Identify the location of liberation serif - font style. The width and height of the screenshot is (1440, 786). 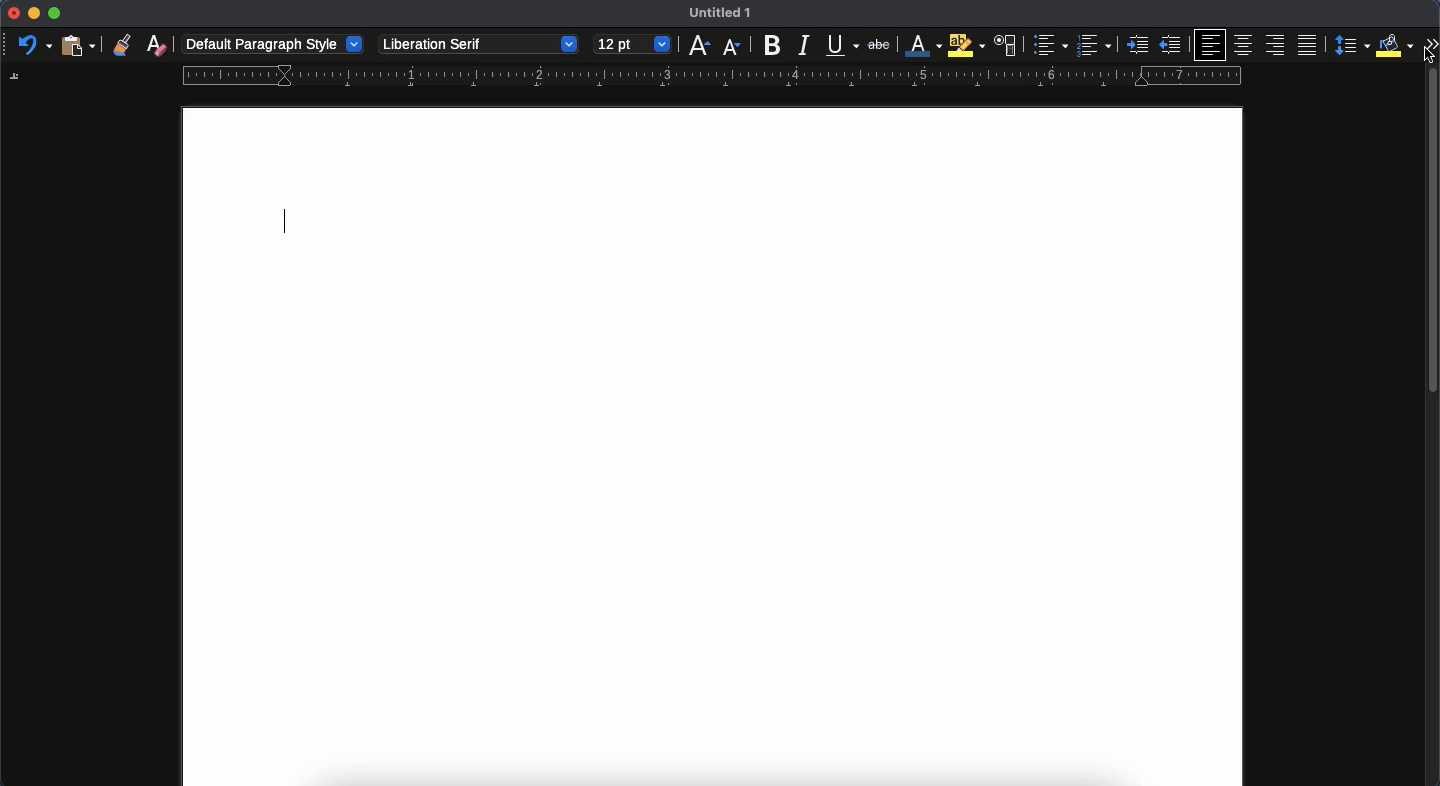
(479, 45).